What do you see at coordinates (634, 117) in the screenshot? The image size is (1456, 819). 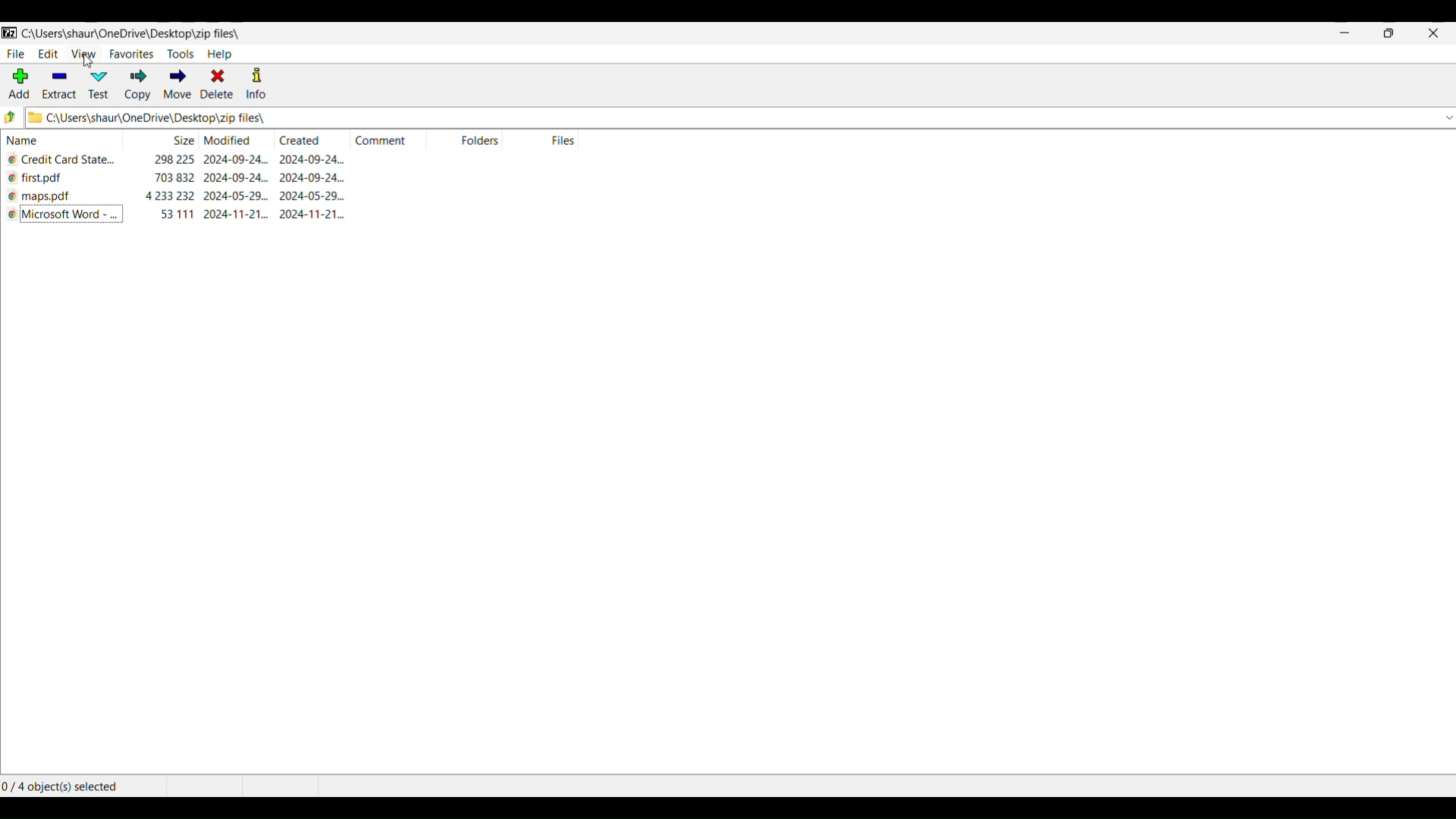 I see `folder path` at bounding box center [634, 117].